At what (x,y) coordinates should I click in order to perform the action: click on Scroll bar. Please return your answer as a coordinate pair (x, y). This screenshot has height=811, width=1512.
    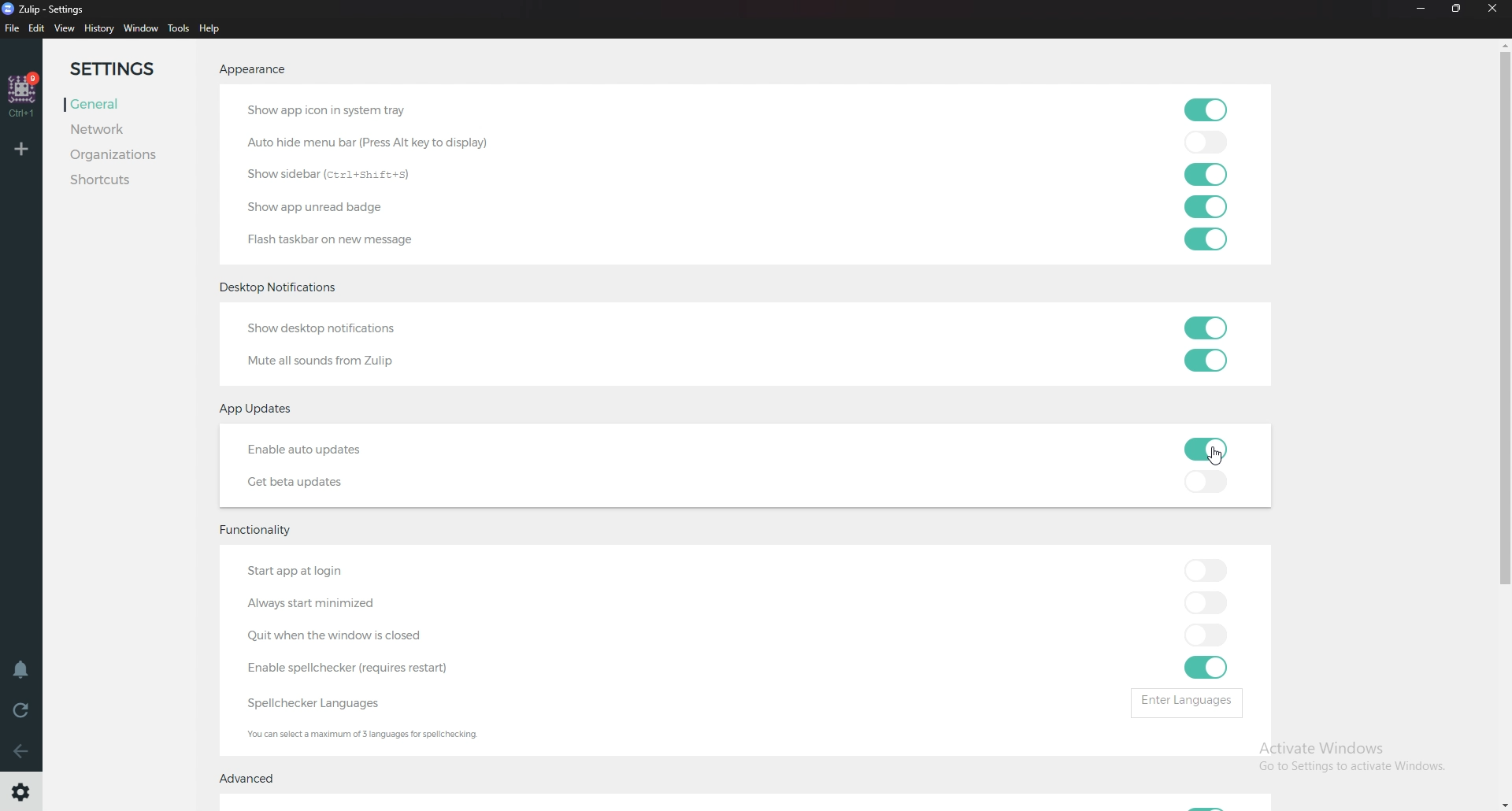
    Looking at the image, I should click on (1502, 326).